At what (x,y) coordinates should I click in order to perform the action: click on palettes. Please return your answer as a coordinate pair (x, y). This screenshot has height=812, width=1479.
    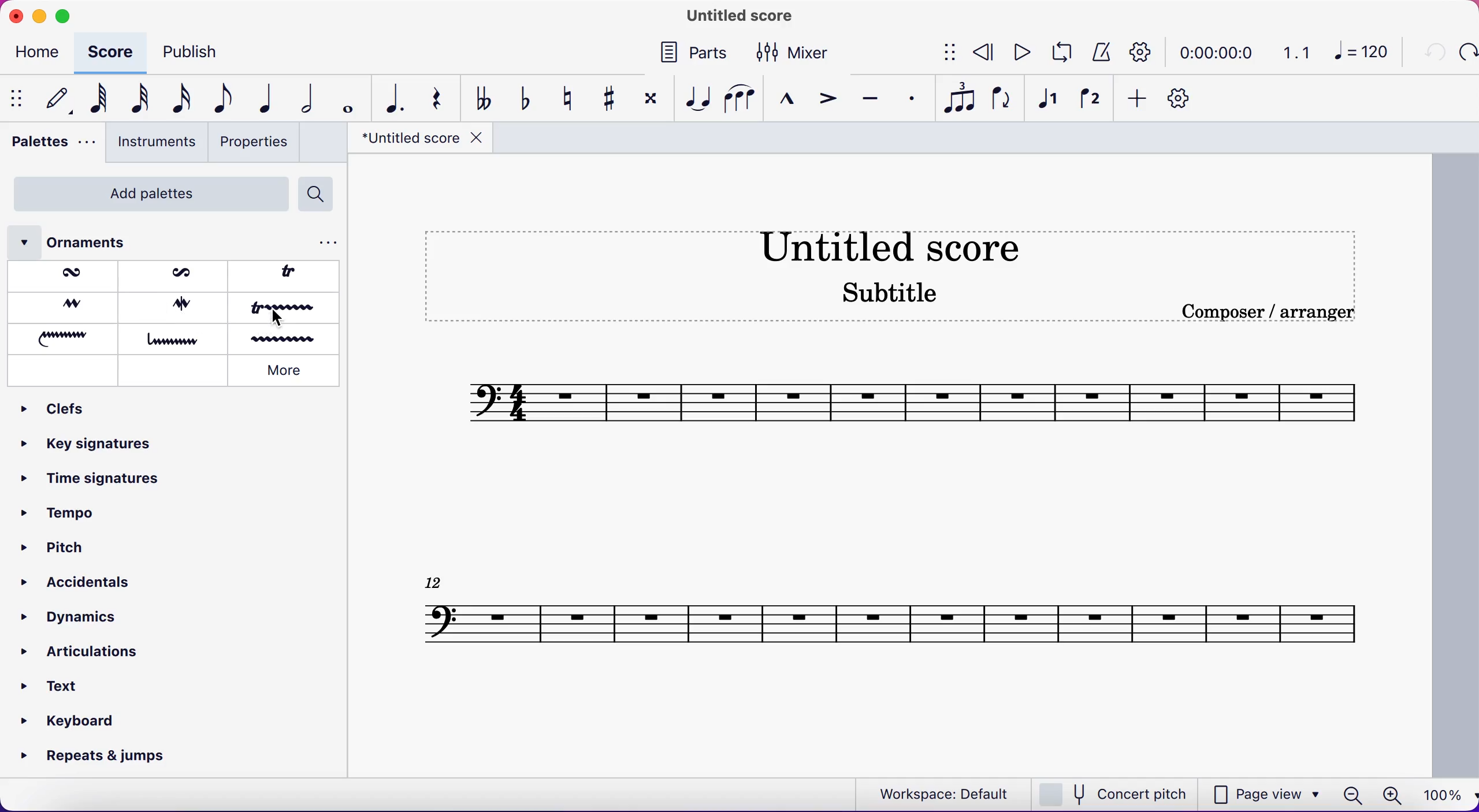
    Looking at the image, I should click on (49, 145).